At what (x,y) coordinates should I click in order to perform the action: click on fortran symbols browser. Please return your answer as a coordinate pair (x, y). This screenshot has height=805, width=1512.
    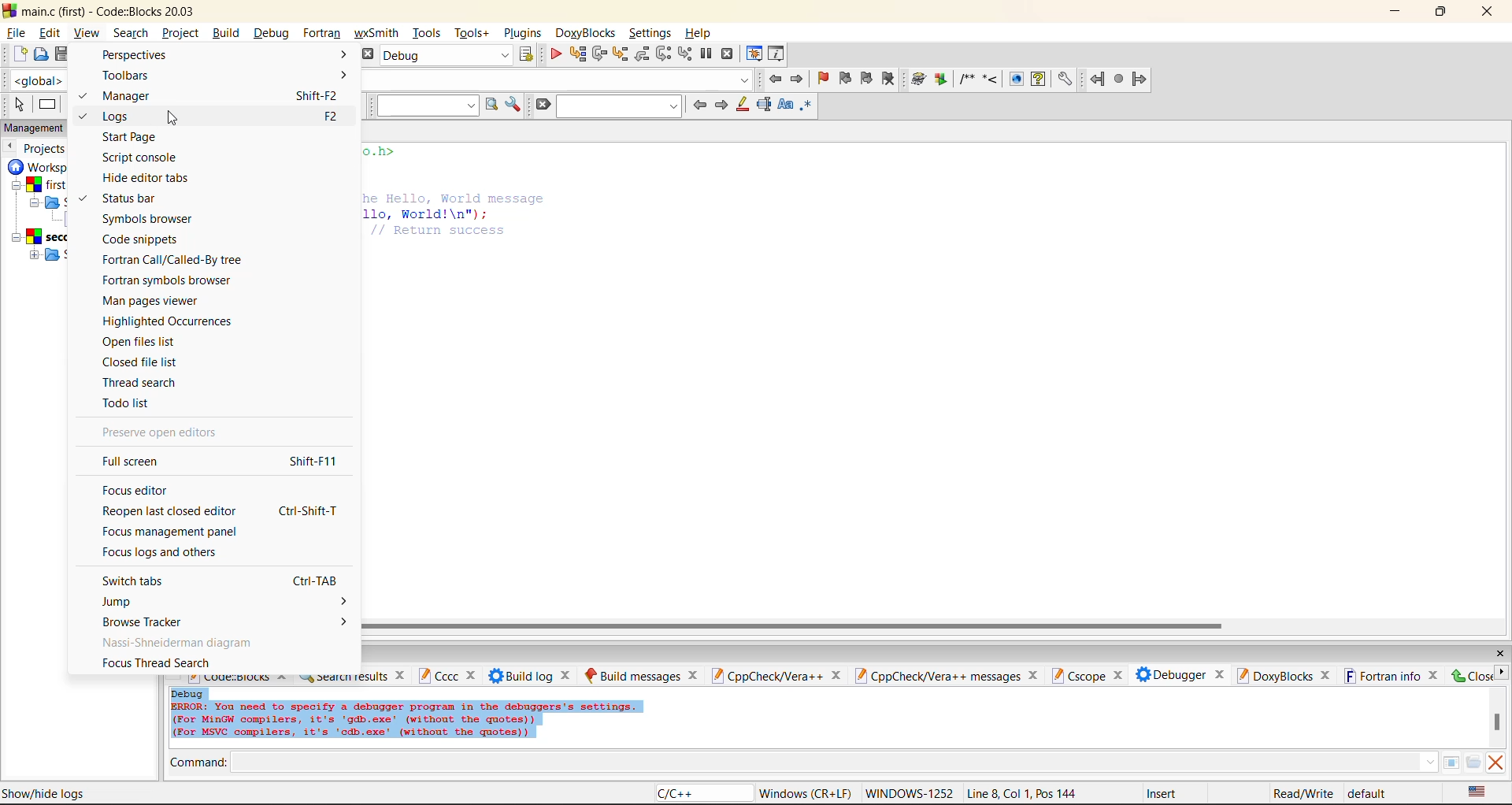
    Looking at the image, I should click on (167, 280).